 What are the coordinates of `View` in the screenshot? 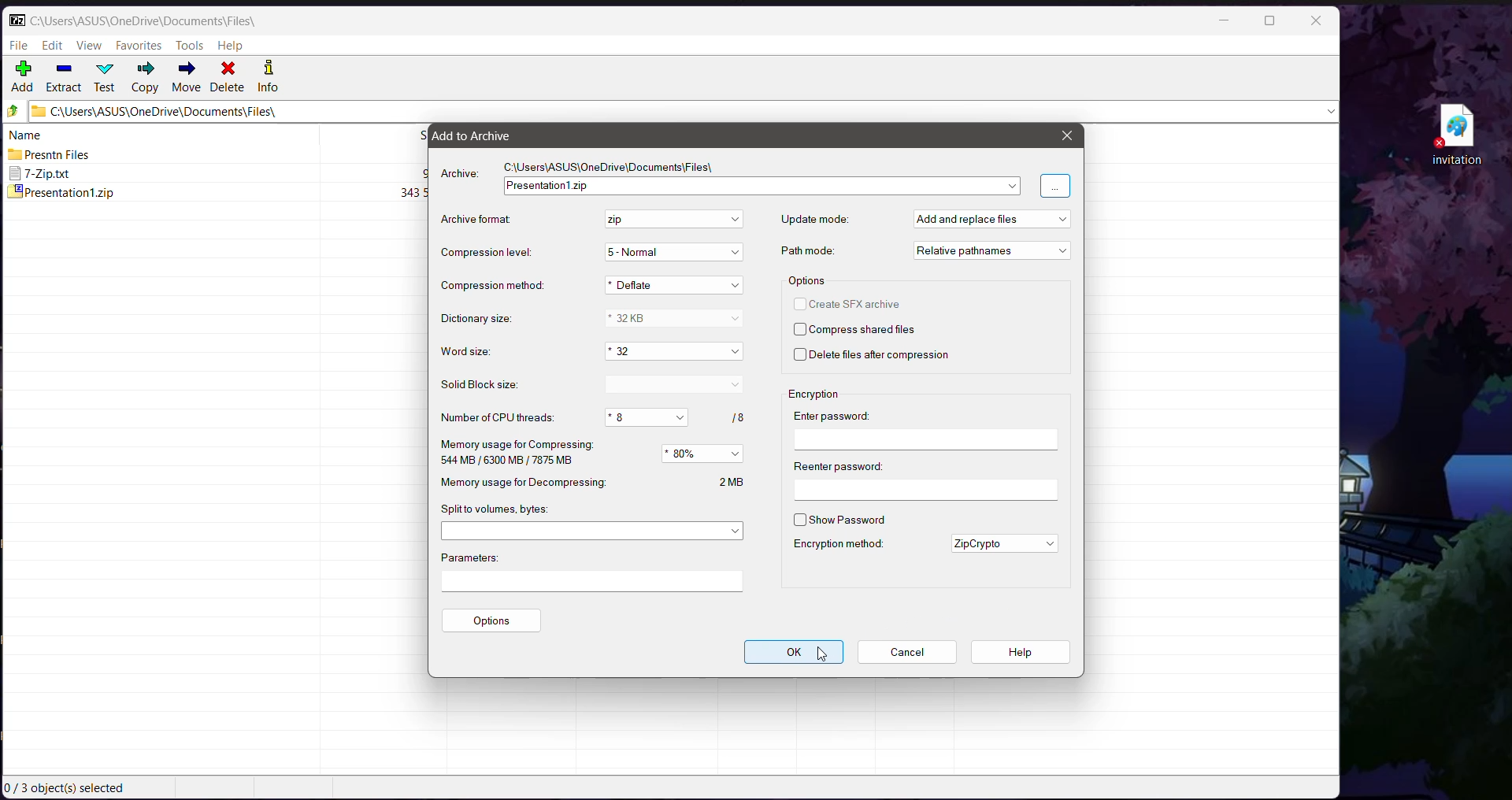 It's located at (91, 45).